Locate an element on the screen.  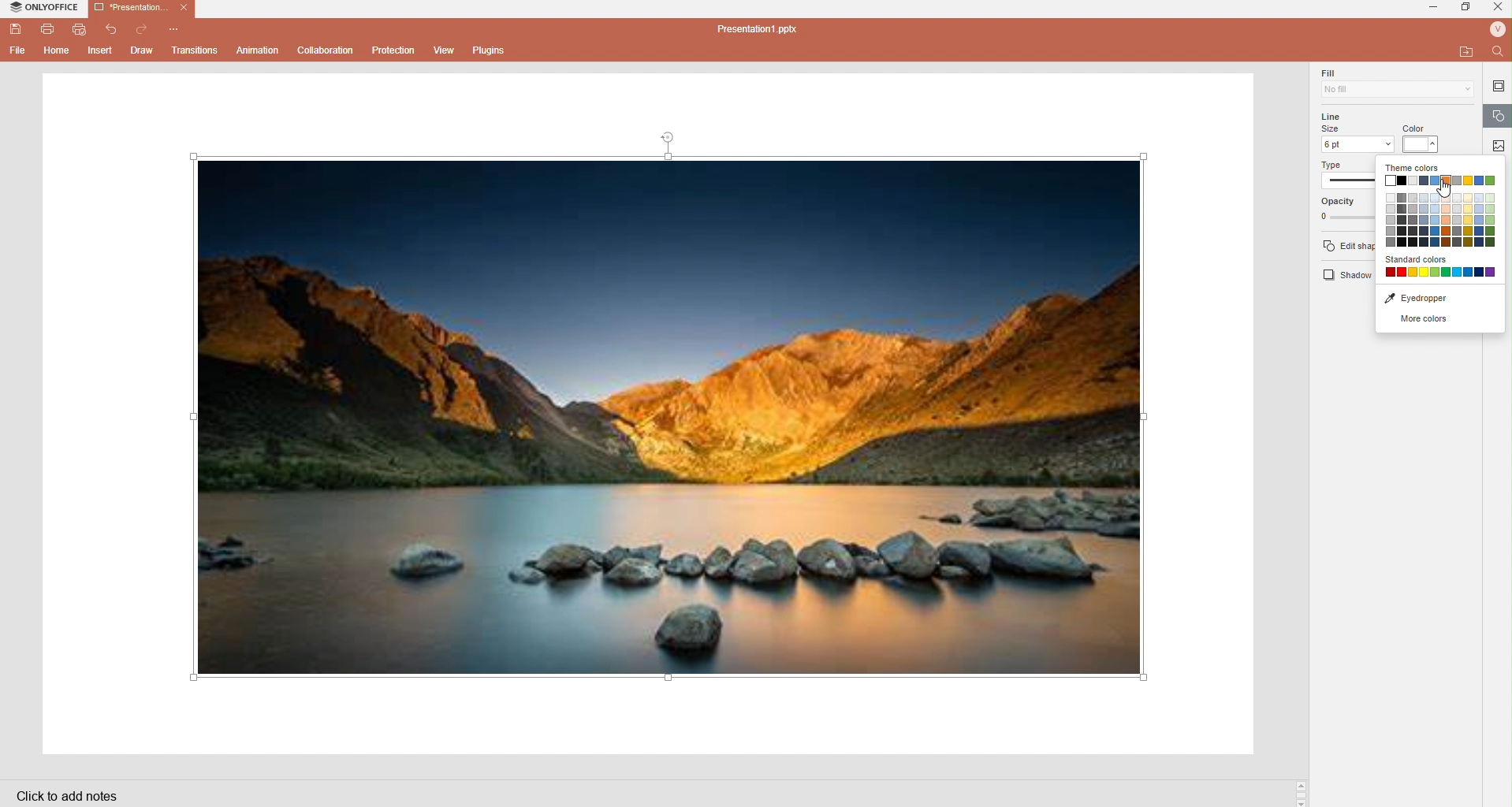
Slide settings is located at coordinates (1499, 86).